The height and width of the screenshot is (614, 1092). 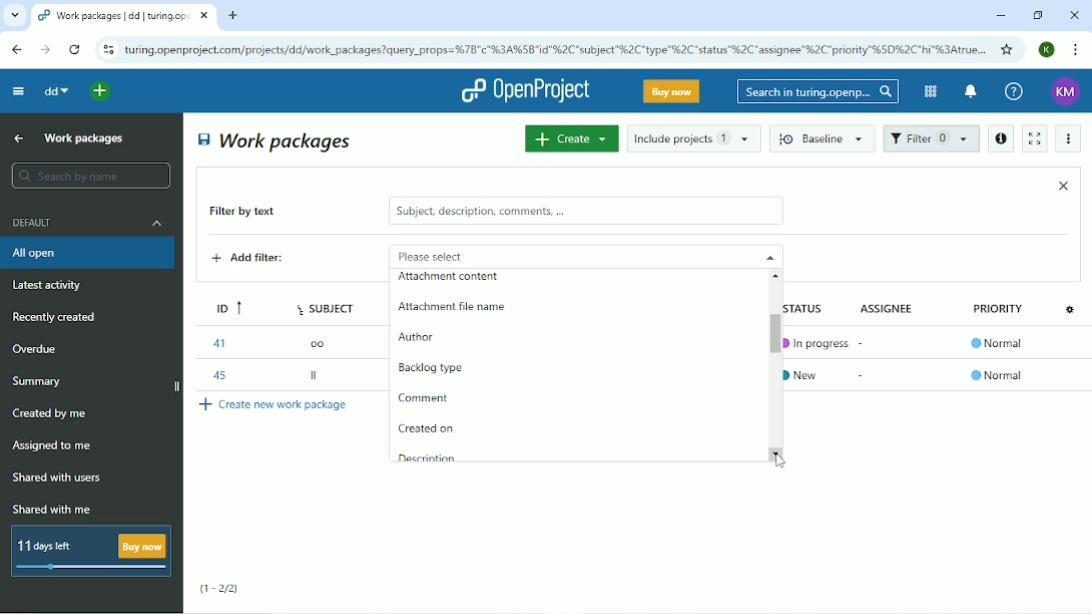 What do you see at coordinates (58, 478) in the screenshot?
I see `Shared with users` at bounding box center [58, 478].